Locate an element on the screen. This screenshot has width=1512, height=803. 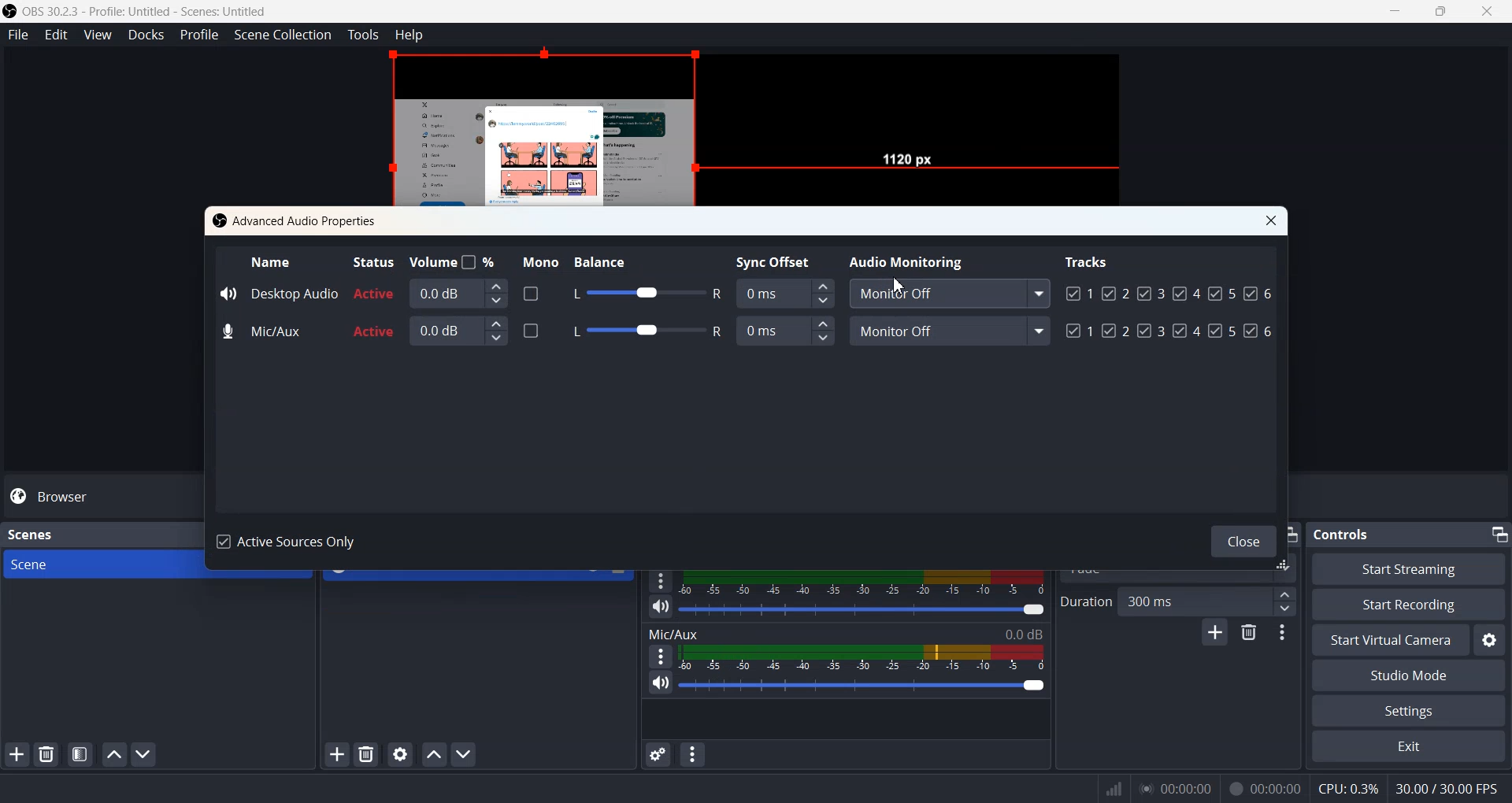
Mute / Unmute is located at coordinates (661, 683).